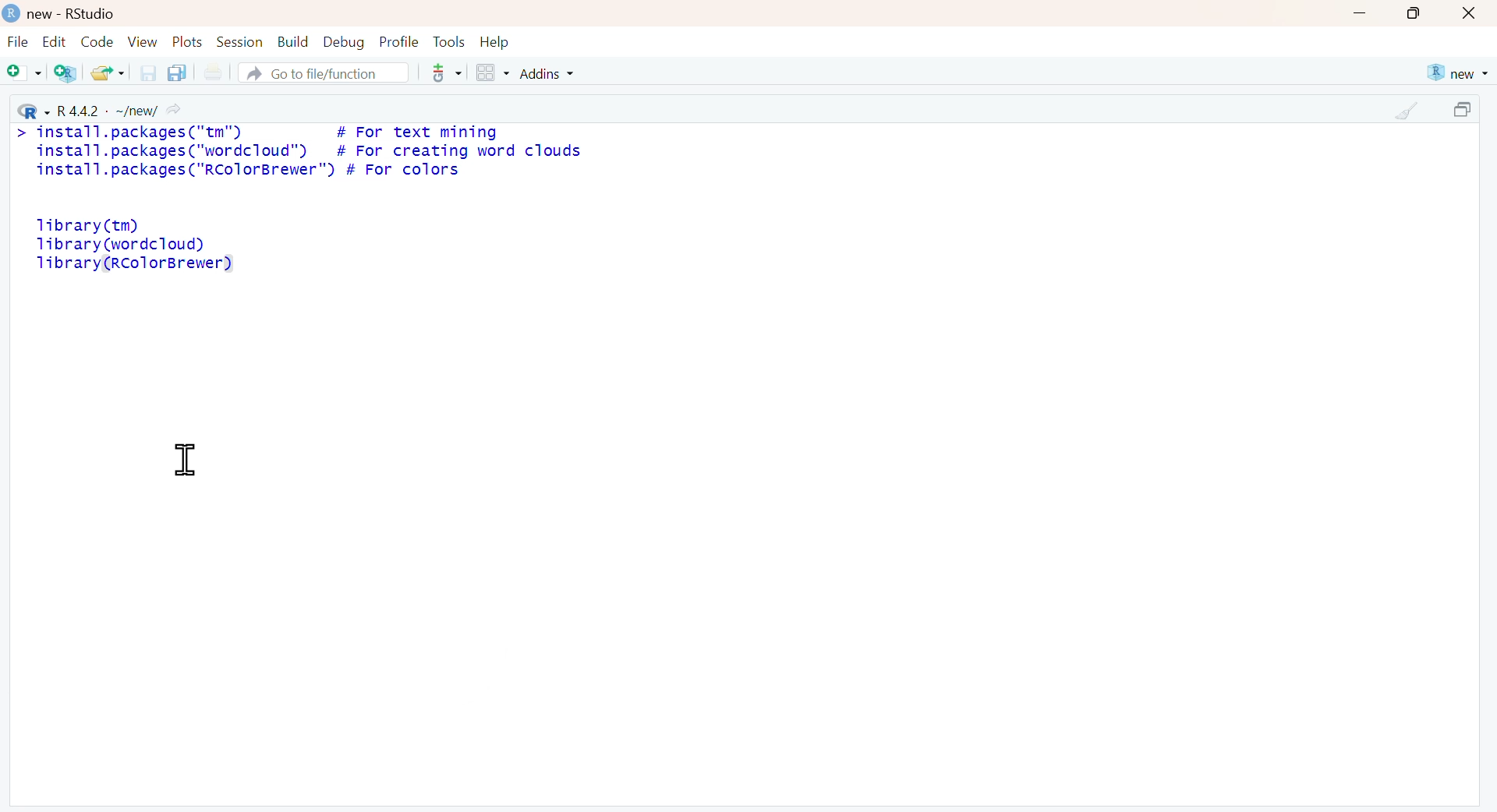 Image resolution: width=1497 pixels, height=812 pixels. Describe the element at coordinates (246, 171) in the screenshot. I see `install.packages("RColorBrewer") # For colors` at that location.